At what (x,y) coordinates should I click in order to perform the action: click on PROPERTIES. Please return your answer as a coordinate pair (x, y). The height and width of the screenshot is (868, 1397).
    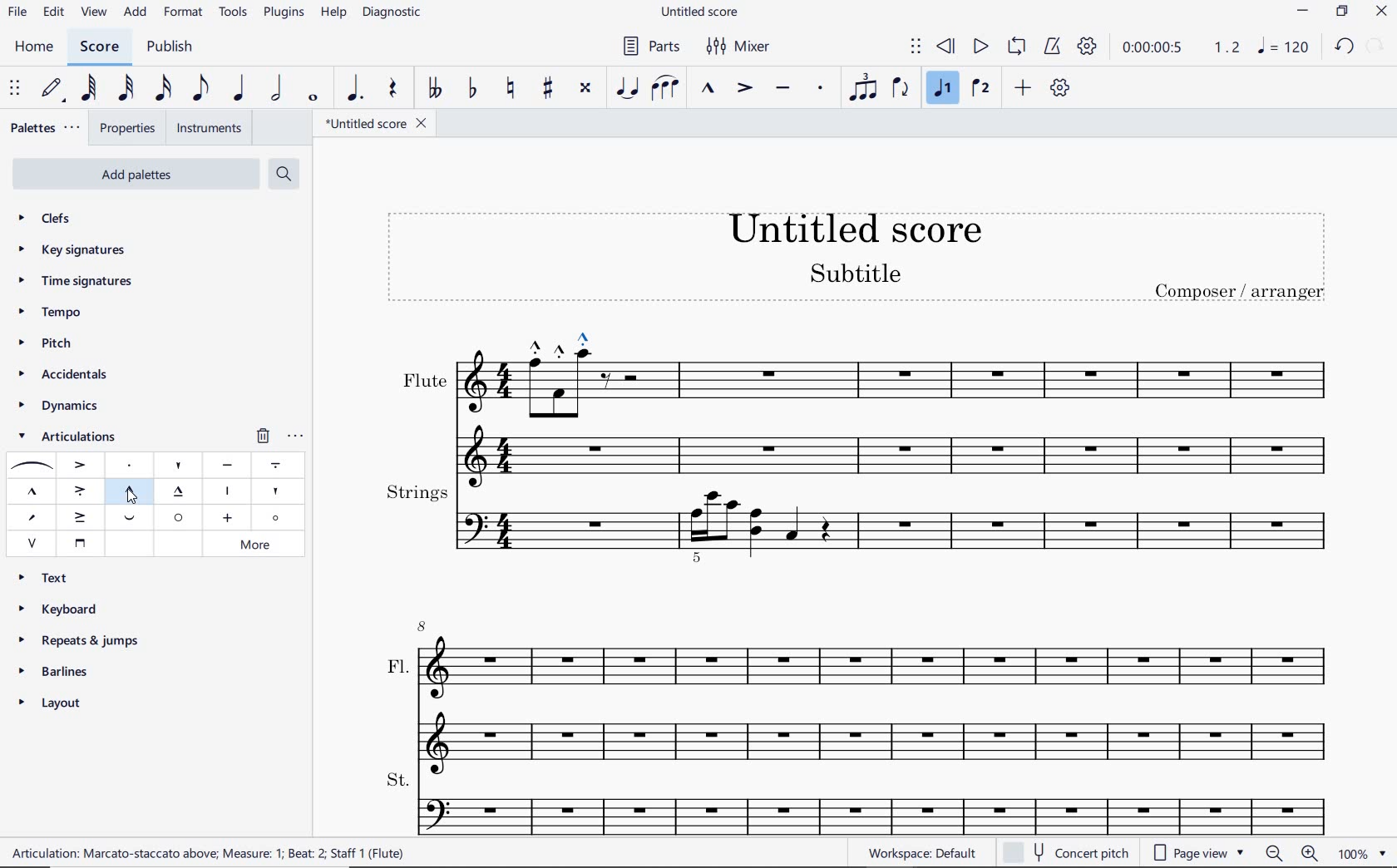
    Looking at the image, I should click on (131, 126).